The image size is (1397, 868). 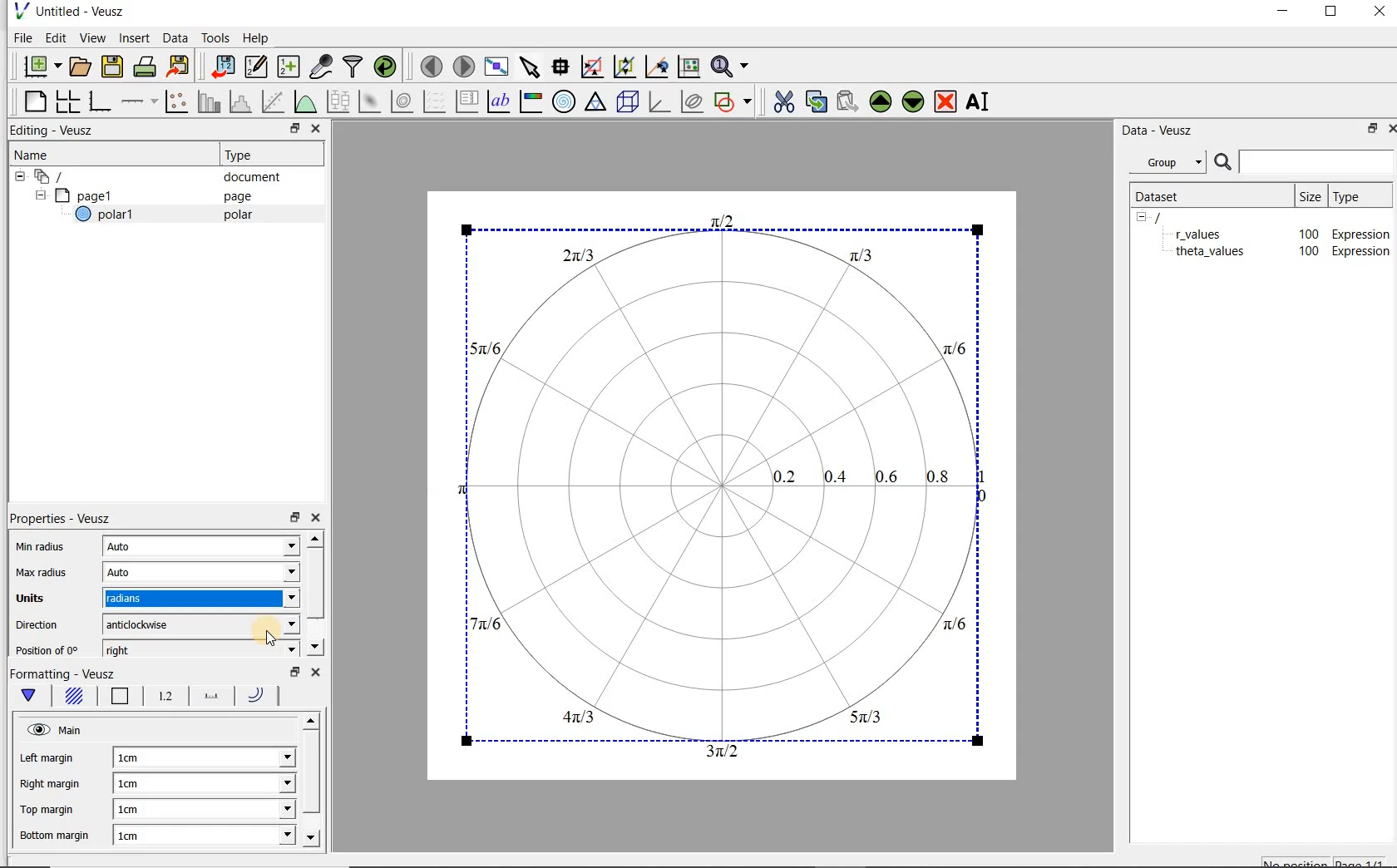 I want to click on Bottom margin dropdown, so click(x=251, y=835).